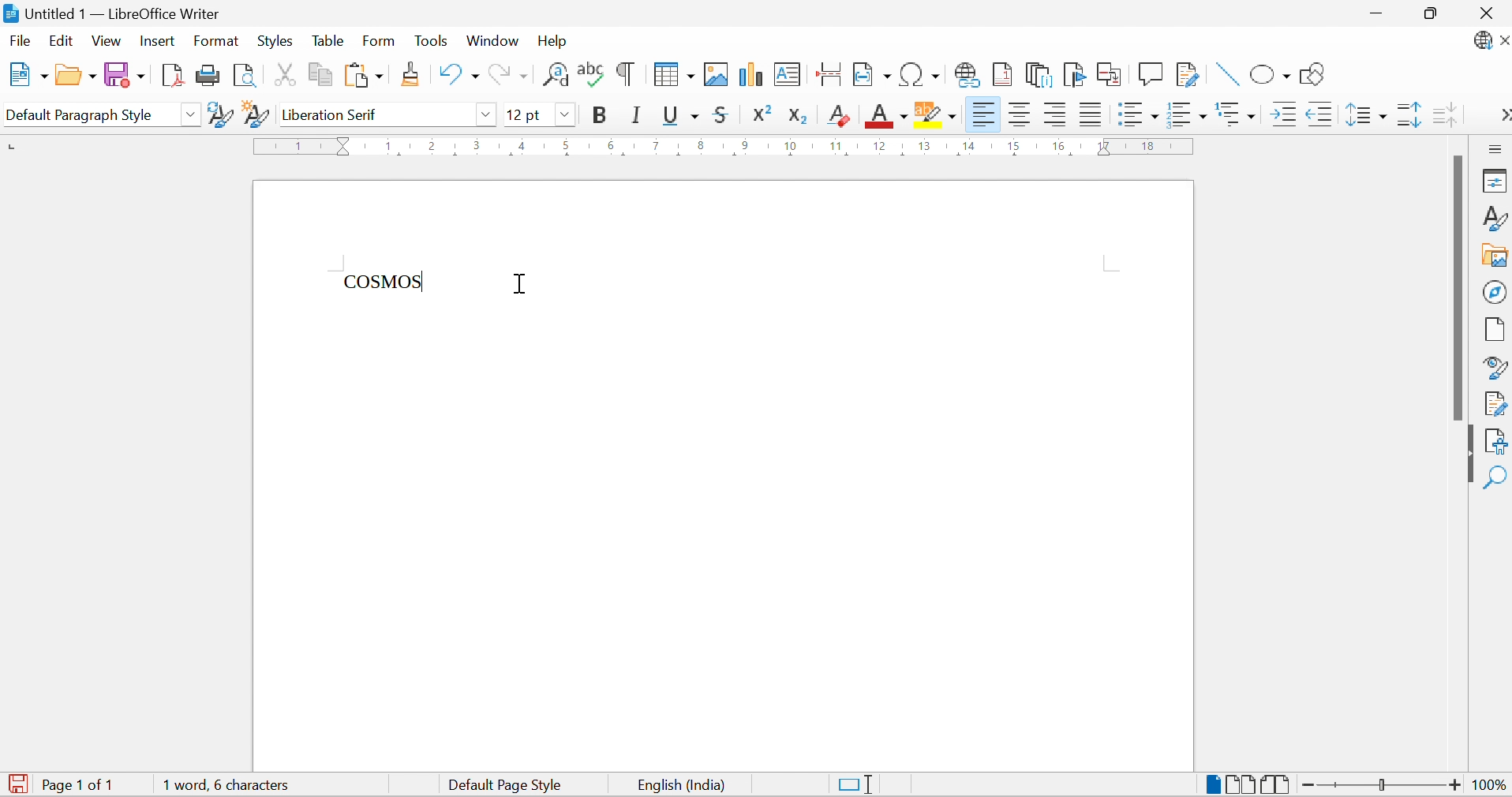 The image size is (1512, 797). I want to click on Sidebar Settings, so click(1495, 149).